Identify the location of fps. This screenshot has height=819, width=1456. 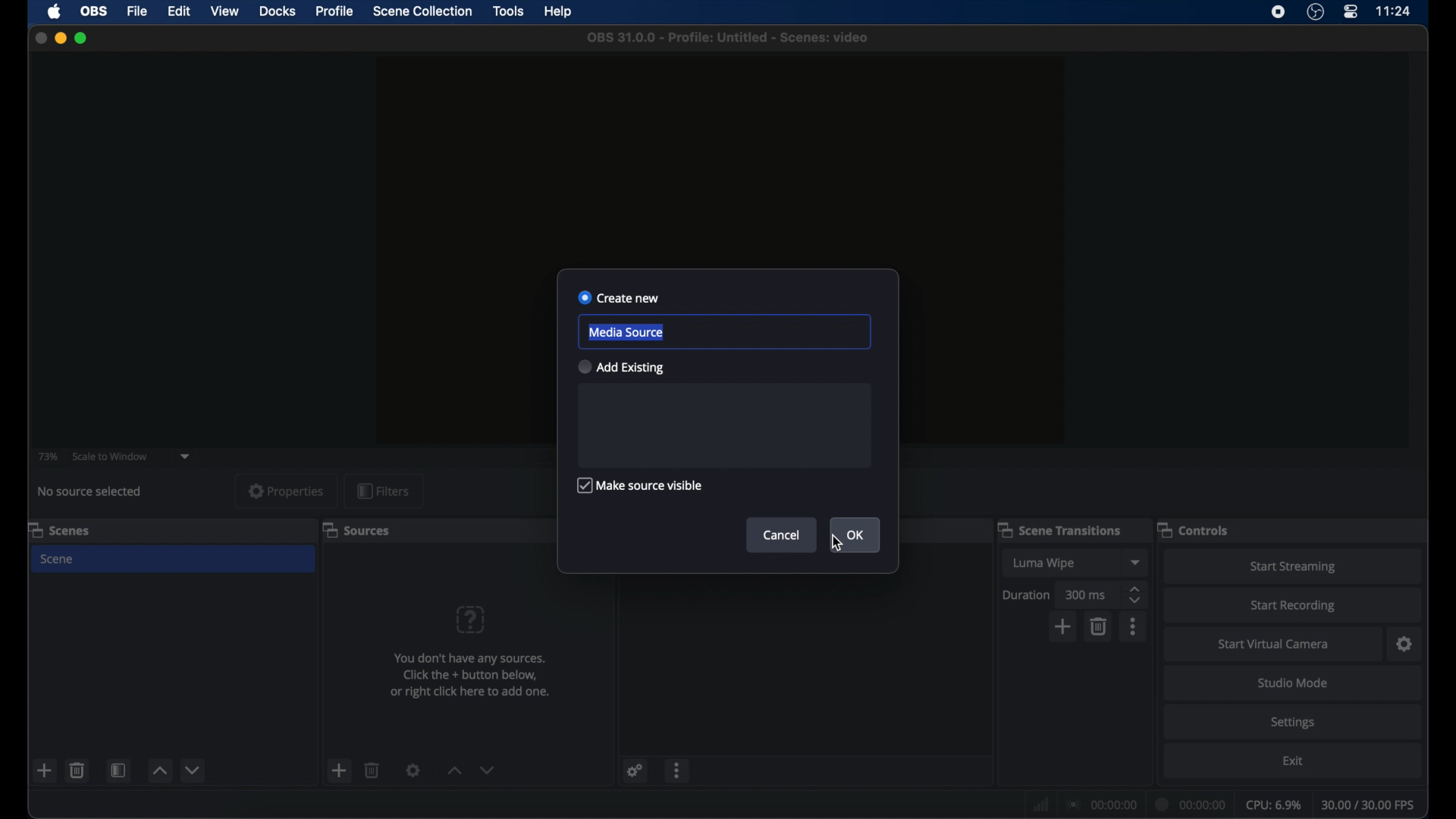
(1368, 805).